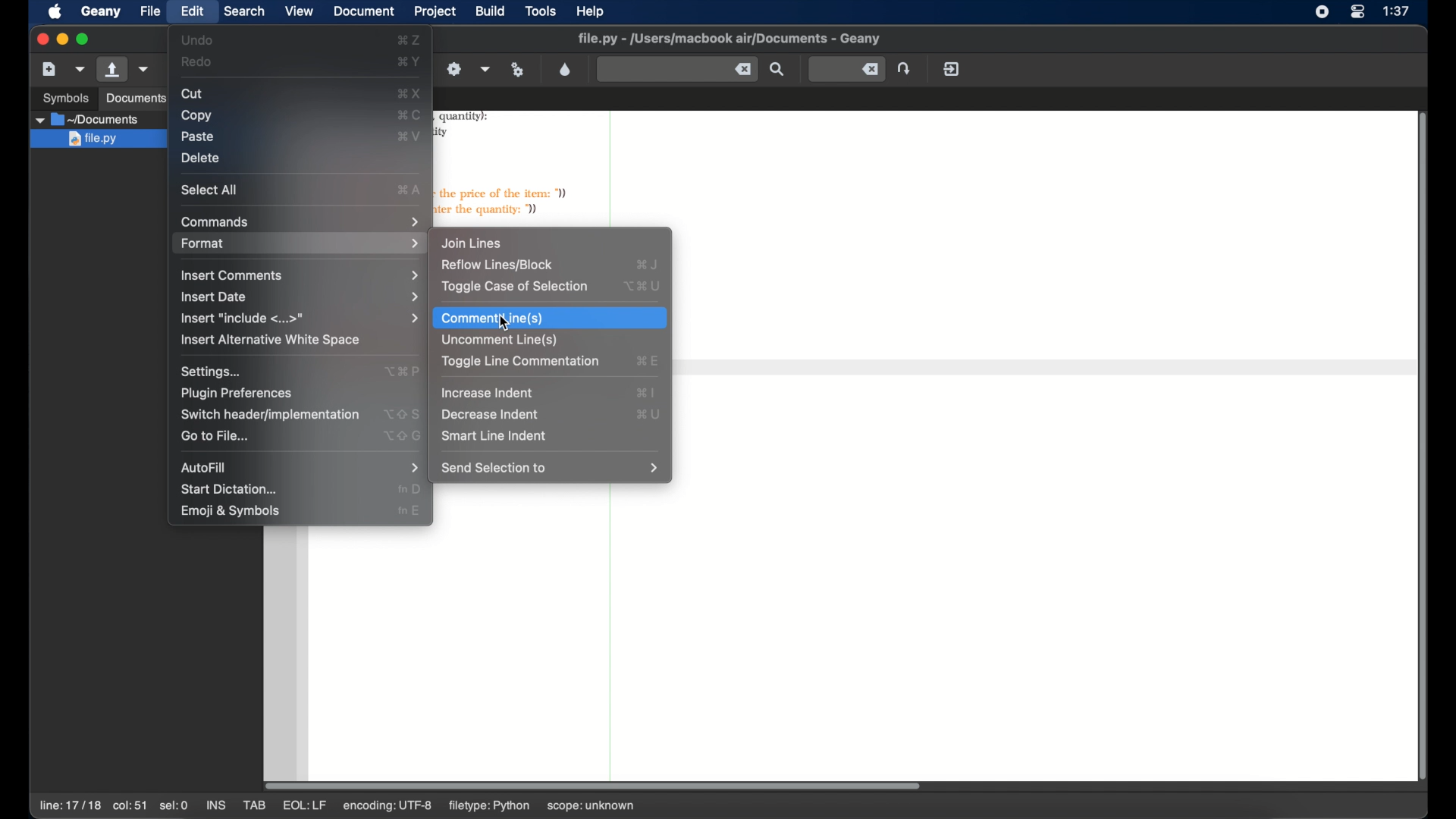 The height and width of the screenshot is (819, 1456). What do you see at coordinates (409, 511) in the screenshot?
I see `emoji and symbols shortcut` at bounding box center [409, 511].